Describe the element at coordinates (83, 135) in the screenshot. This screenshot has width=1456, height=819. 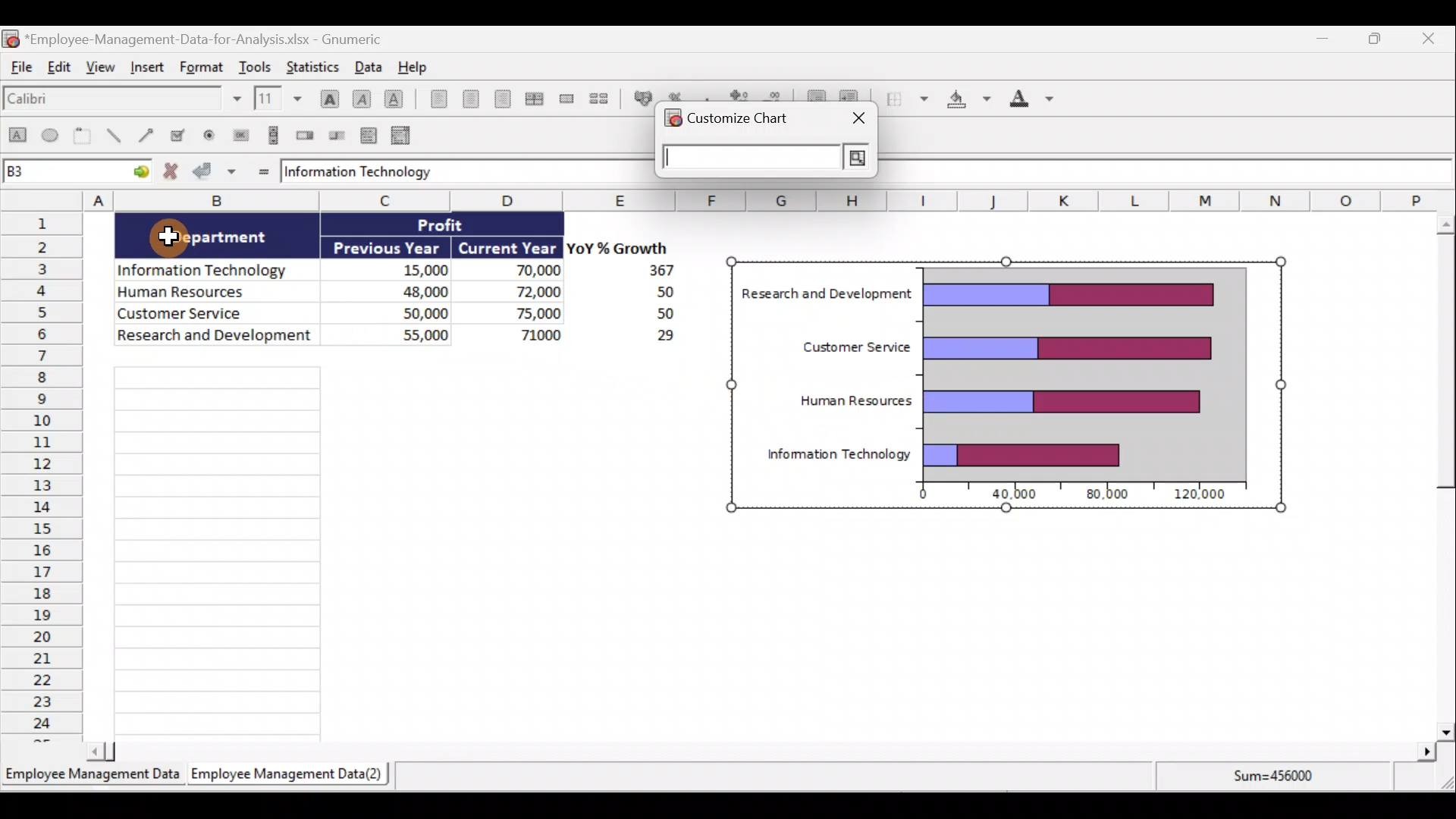
I see `Create a frame` at that location.